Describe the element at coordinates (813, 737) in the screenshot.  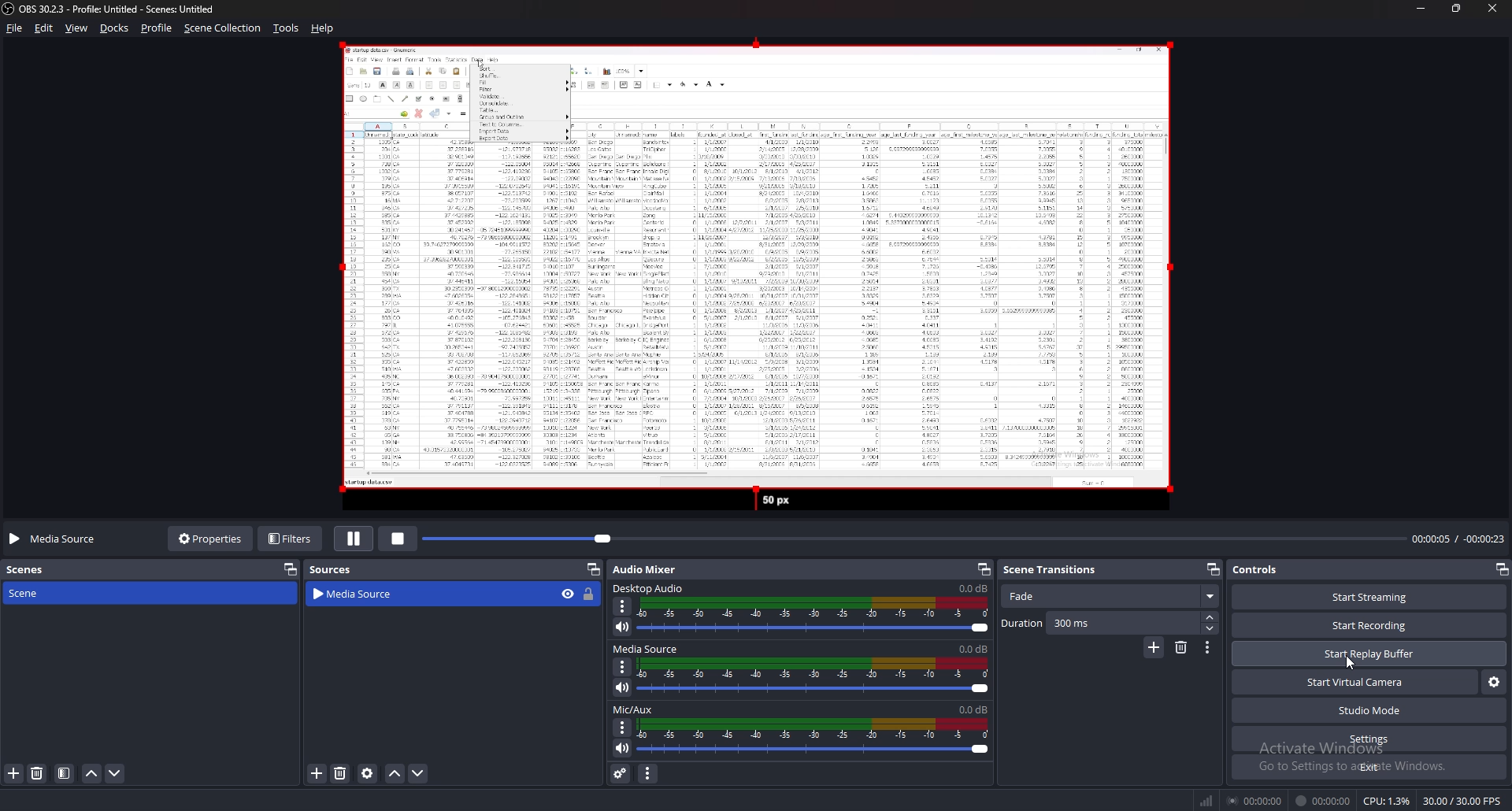
I see `mic/aux audio adjust` at that location.